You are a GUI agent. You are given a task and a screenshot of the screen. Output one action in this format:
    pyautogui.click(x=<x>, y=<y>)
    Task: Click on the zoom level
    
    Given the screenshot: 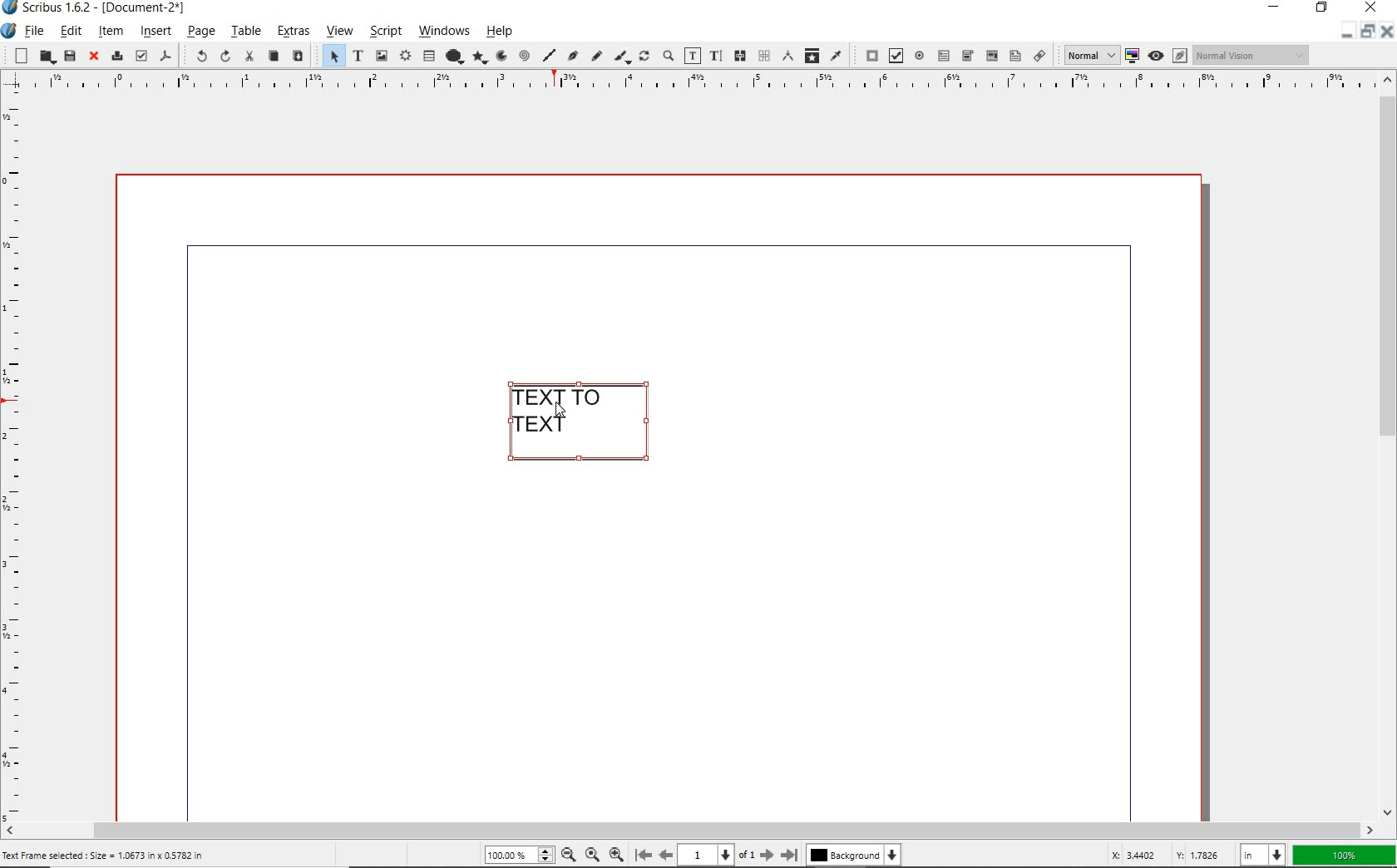 What is the action you would take?
    pyautogui.click(x=522, y=856)
    